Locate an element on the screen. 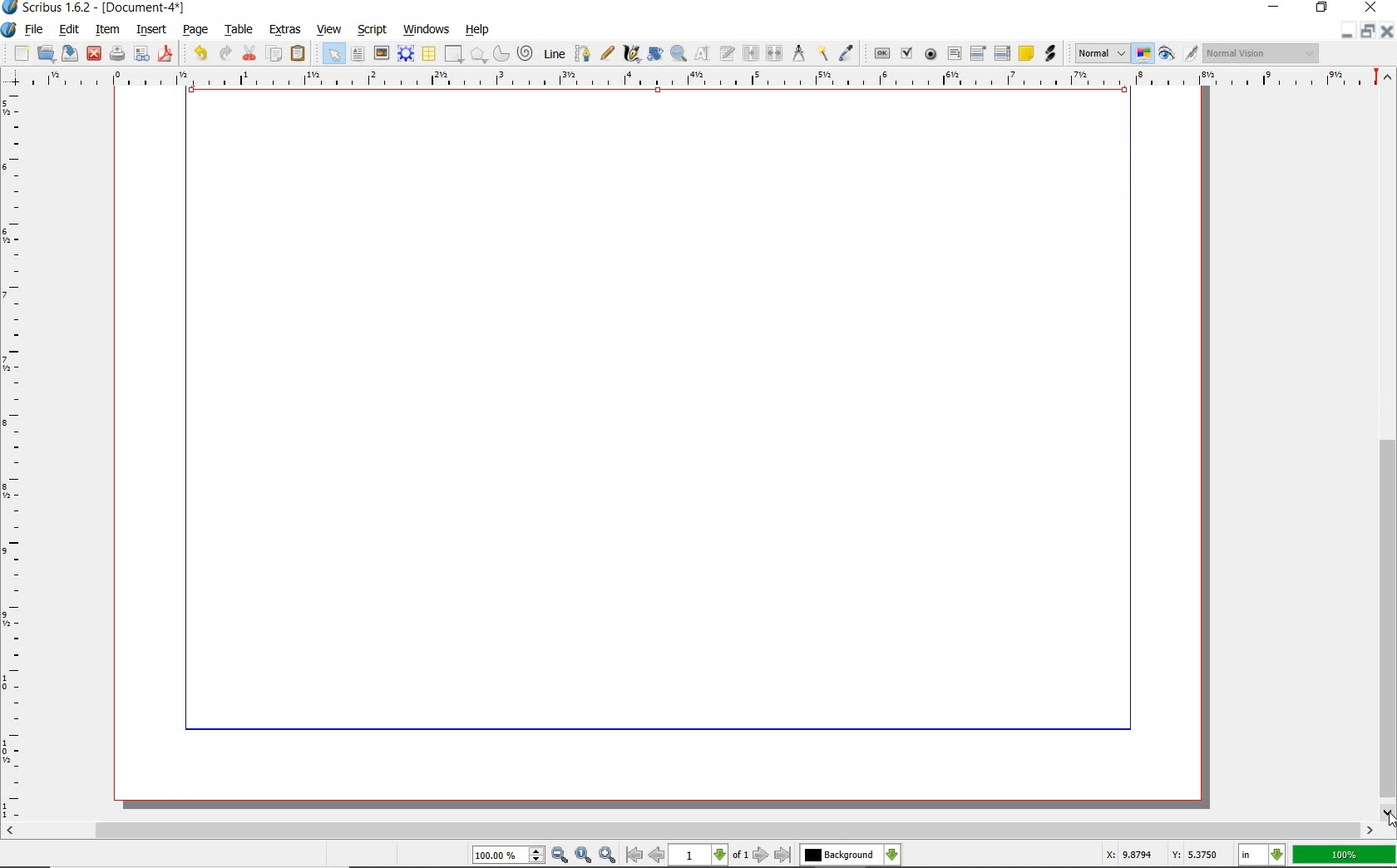 Image resolution: width=1397 pixels, height=868 pixels. 100% is located at coordinates (1344, 855).